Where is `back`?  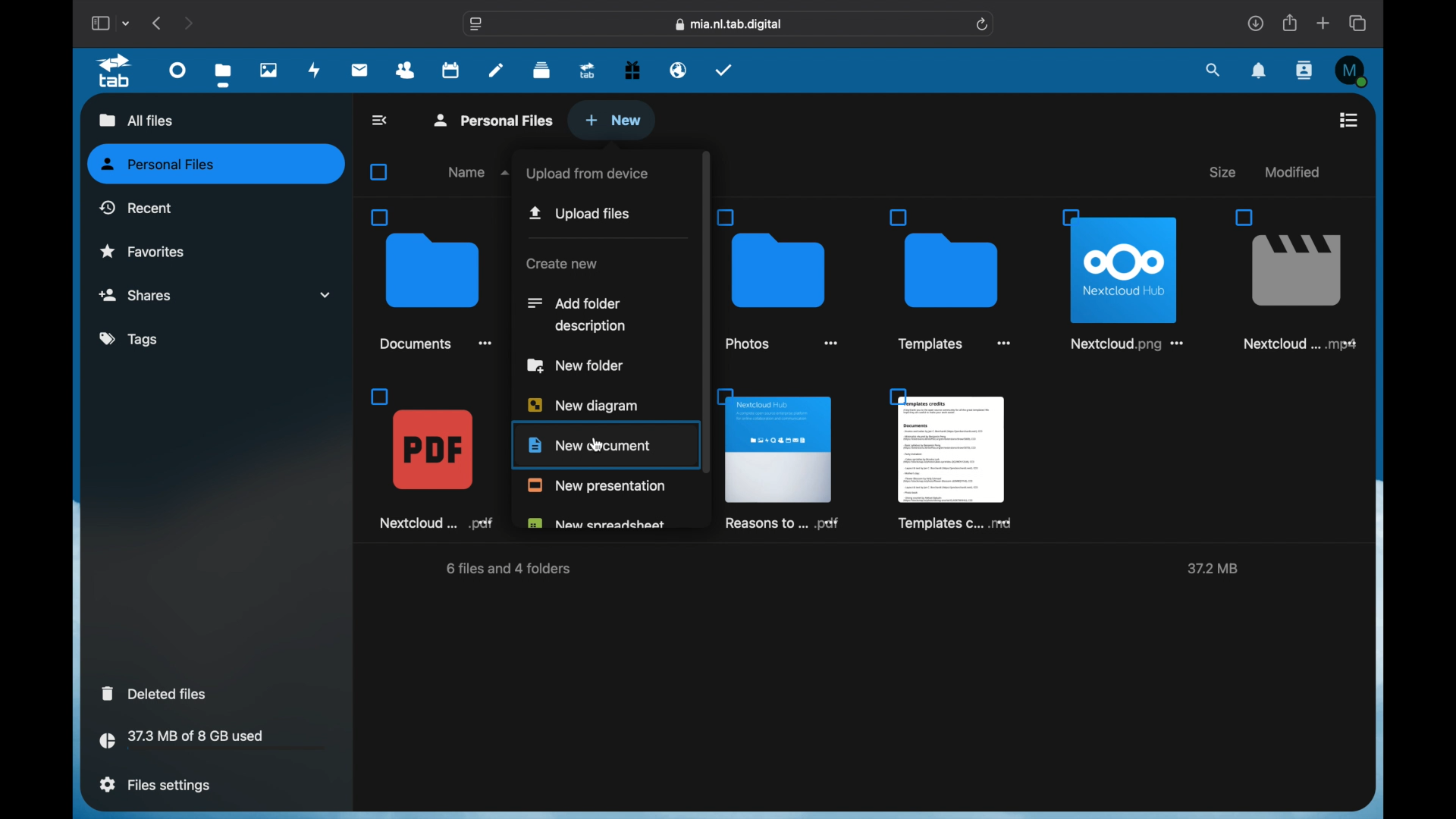 back is located at coordinates (381, 120).